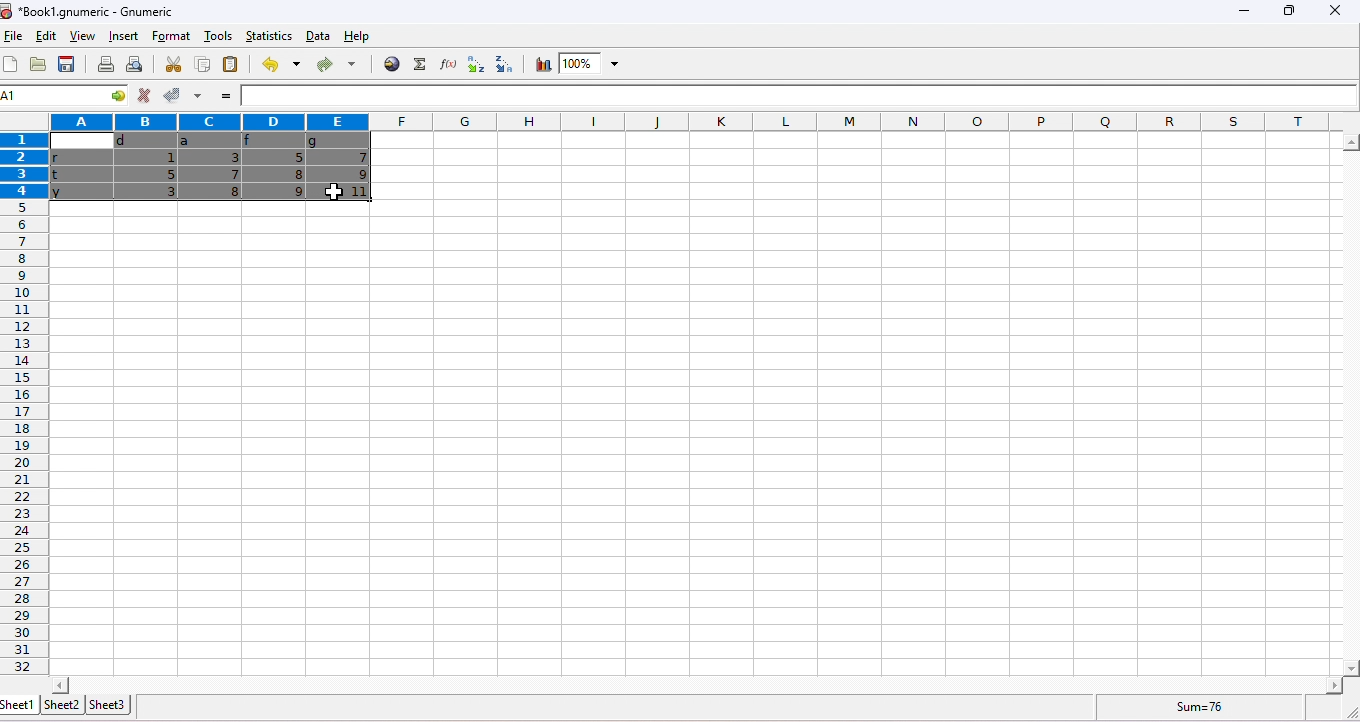 This screenshot has height=722, width=1360. What do you see at coordinates (541, 65) in the screenshot?
I see `chart` at bounding box center [541, 65].